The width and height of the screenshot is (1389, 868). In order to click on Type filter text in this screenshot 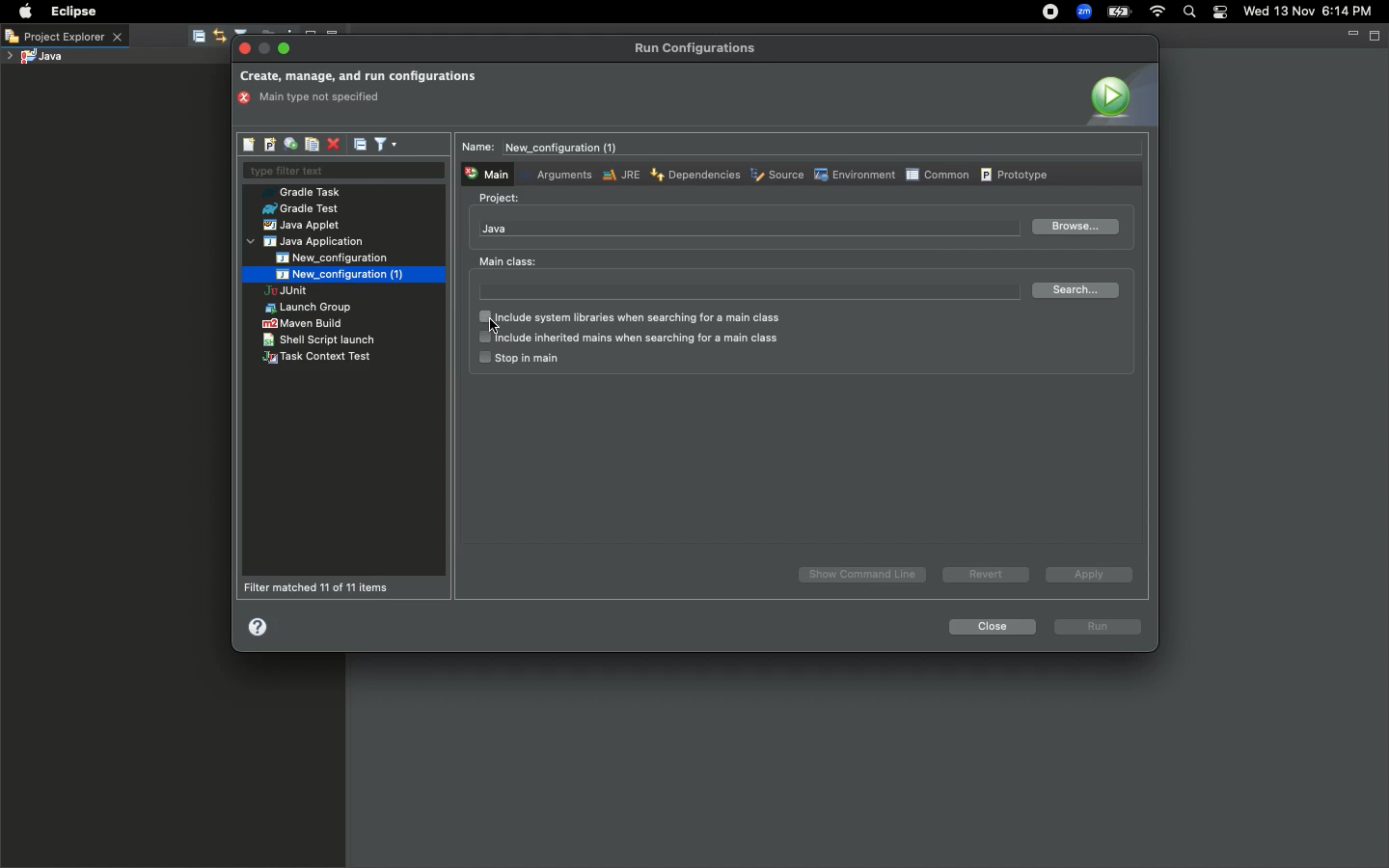, I will do `click(342, 172)`.